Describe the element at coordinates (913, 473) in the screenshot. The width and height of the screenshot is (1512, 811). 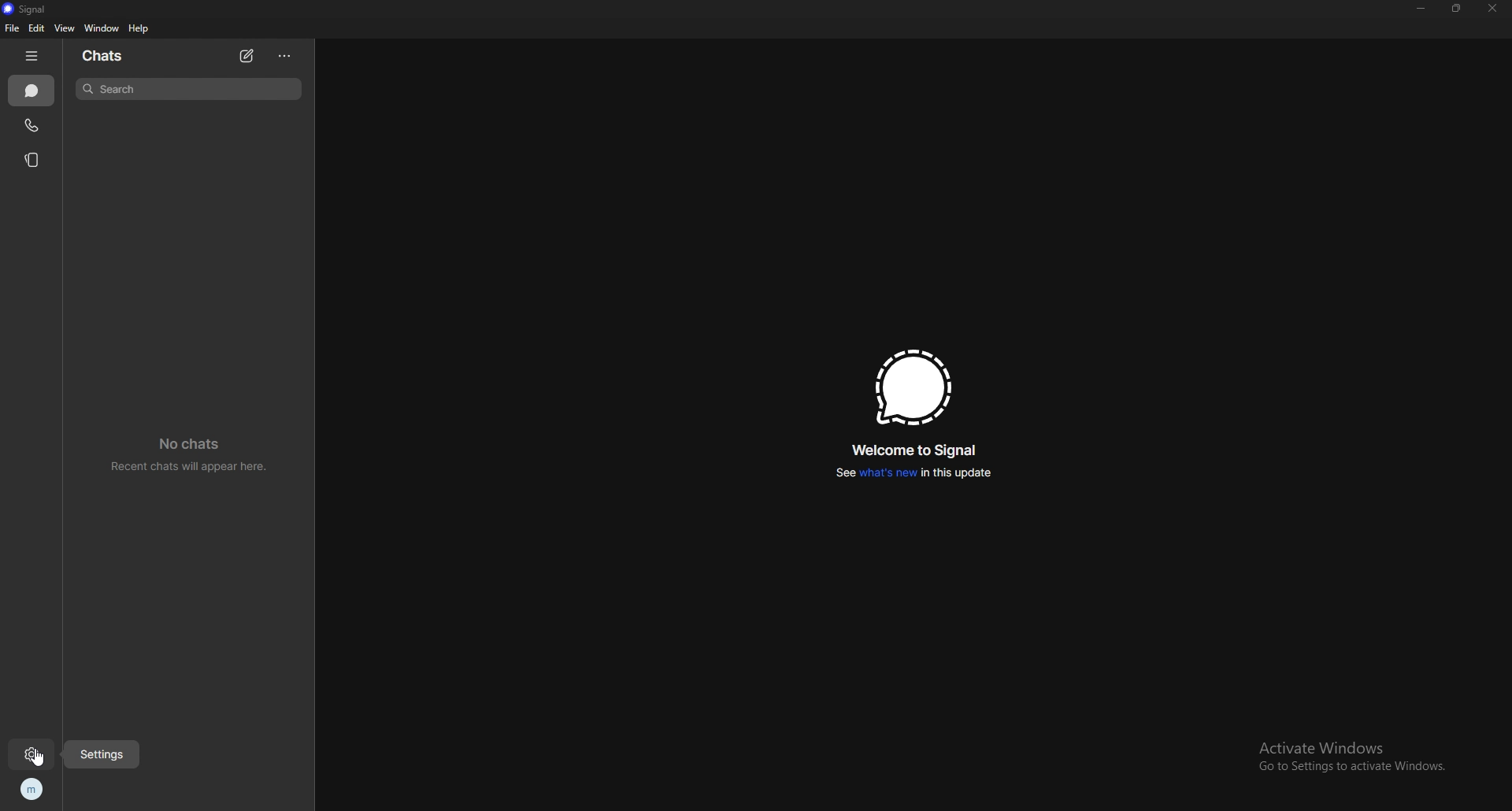
I see `see whats new in this update` at that location.